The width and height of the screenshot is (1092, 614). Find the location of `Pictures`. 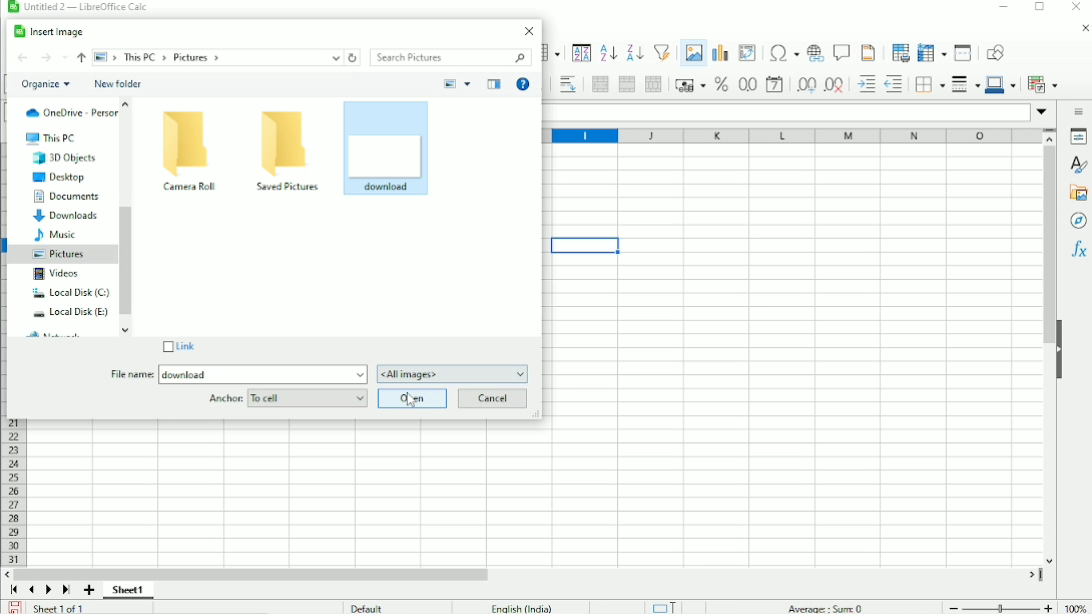

Pictures is located at coordinates (59, 254).